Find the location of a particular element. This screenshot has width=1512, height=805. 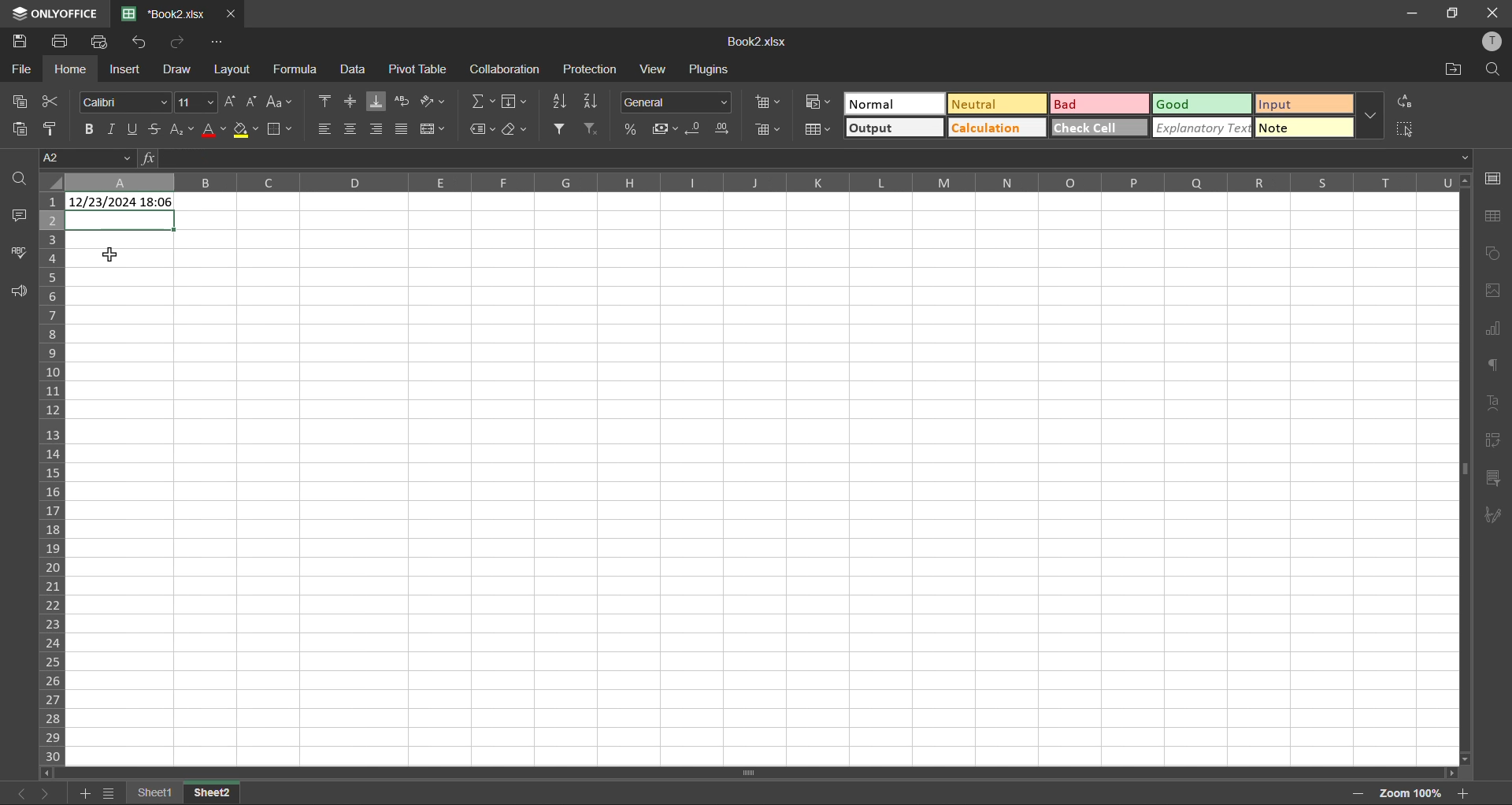

decrease decimal is located at coordinates (699, 128).